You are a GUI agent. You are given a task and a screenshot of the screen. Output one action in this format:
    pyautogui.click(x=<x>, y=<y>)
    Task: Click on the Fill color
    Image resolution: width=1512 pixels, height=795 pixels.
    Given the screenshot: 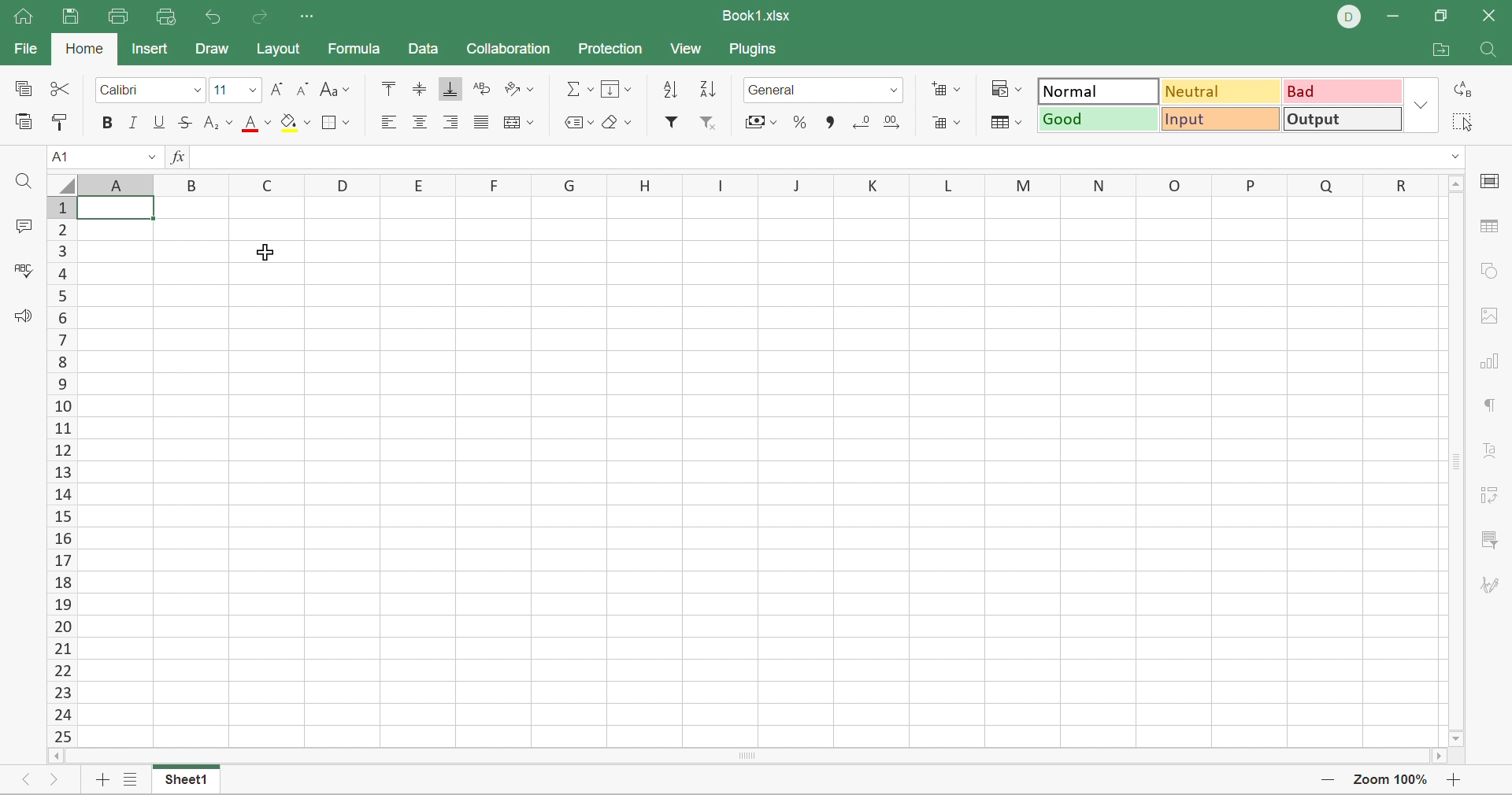 What is the action you would take?
    pyautogui.click(x=295, y=123)
    